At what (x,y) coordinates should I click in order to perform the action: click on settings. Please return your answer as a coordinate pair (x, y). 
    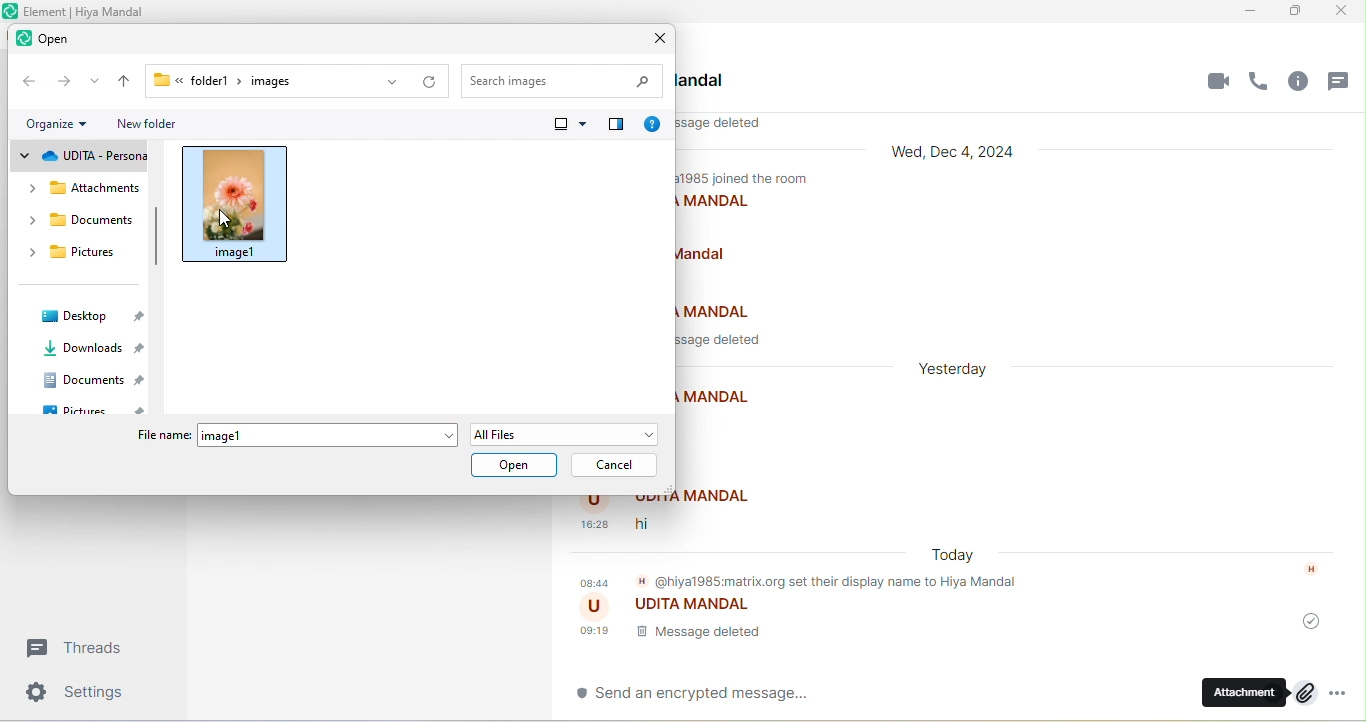
    Looking at the image, I should click on (84, 695).